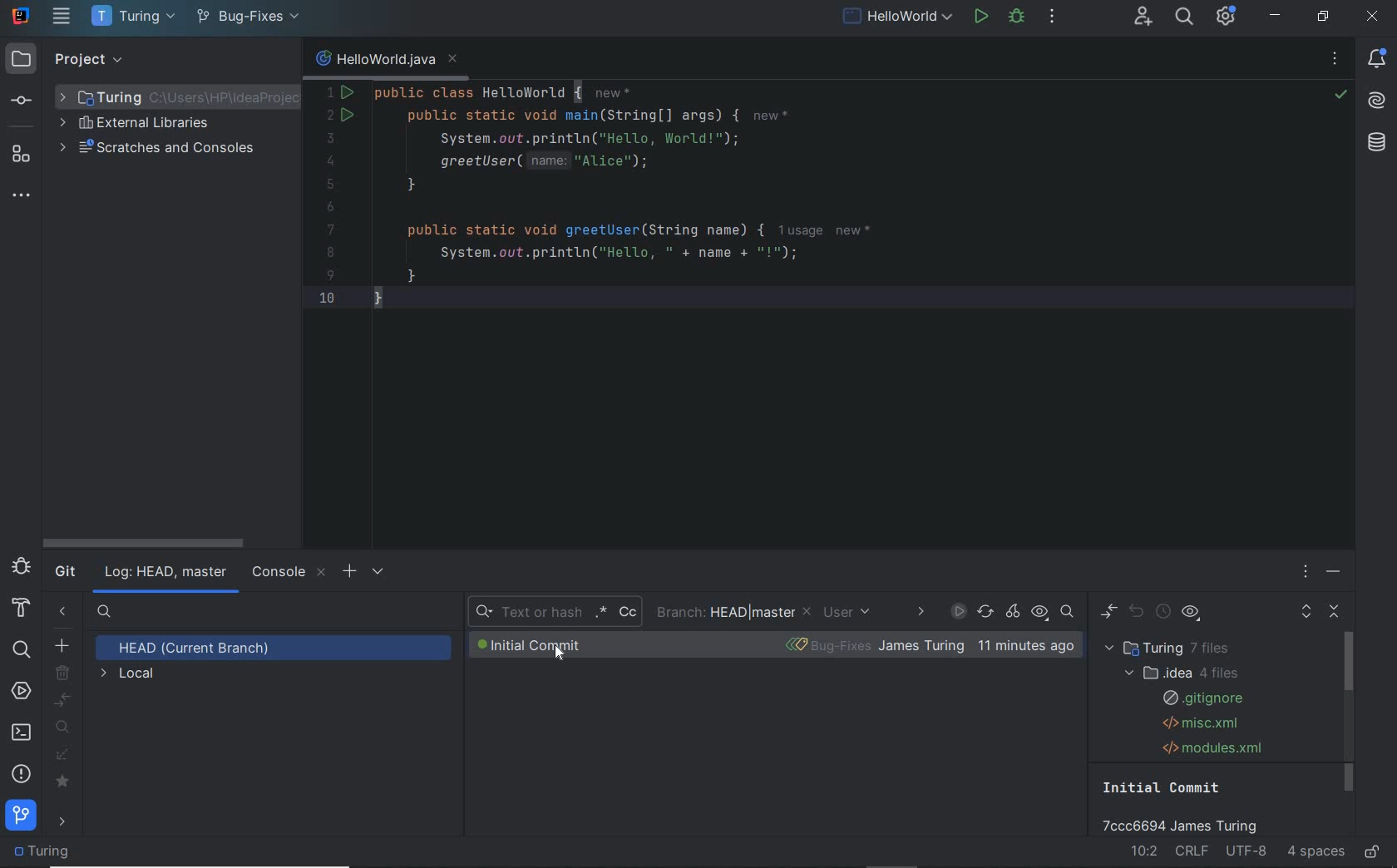  Describe the element at coordinates (1340, 95) in the screenshot. I see `no highlighted error` at that location.